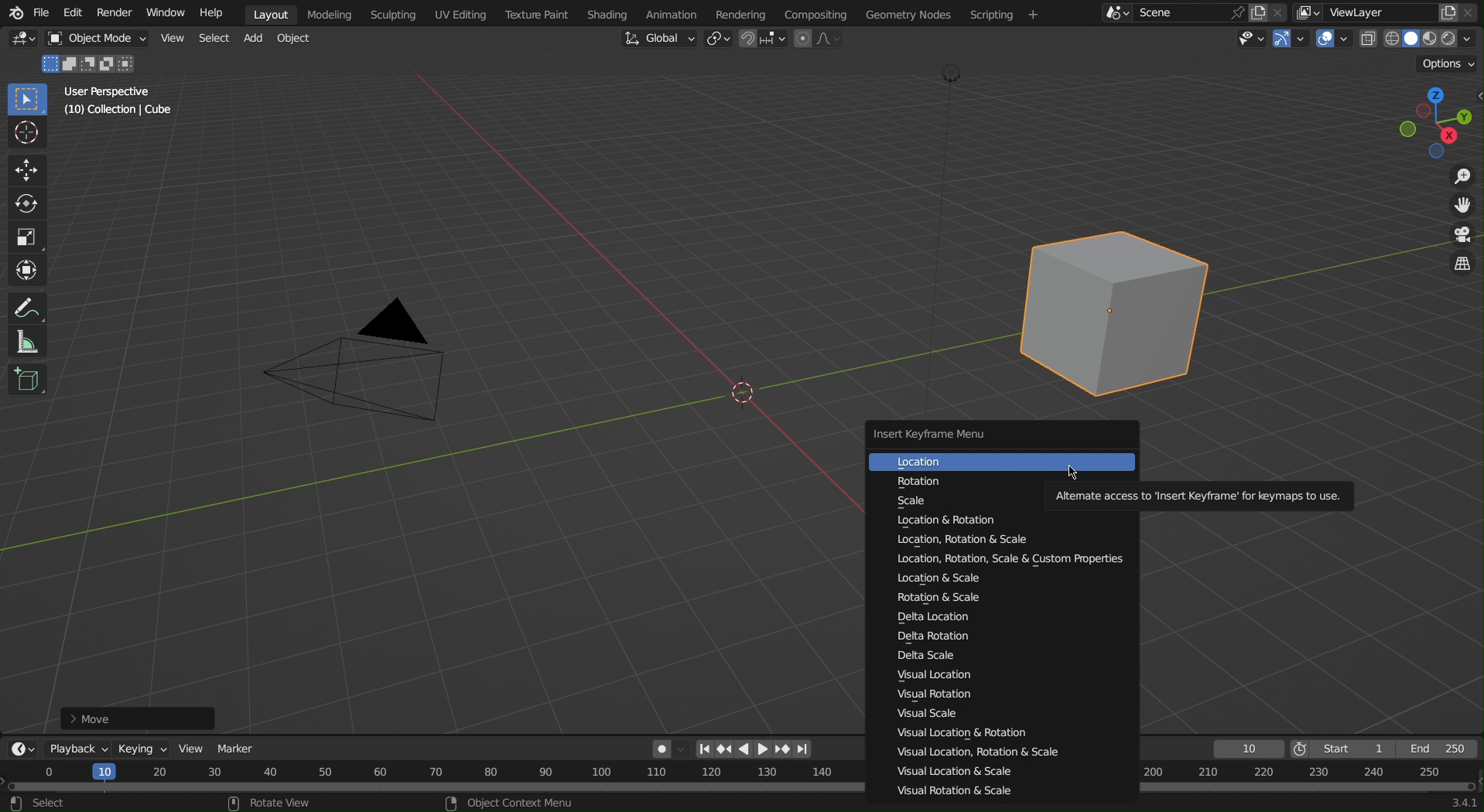 This screenshot has height=812, width=1484. I want to click on Help, so click(218, 12).